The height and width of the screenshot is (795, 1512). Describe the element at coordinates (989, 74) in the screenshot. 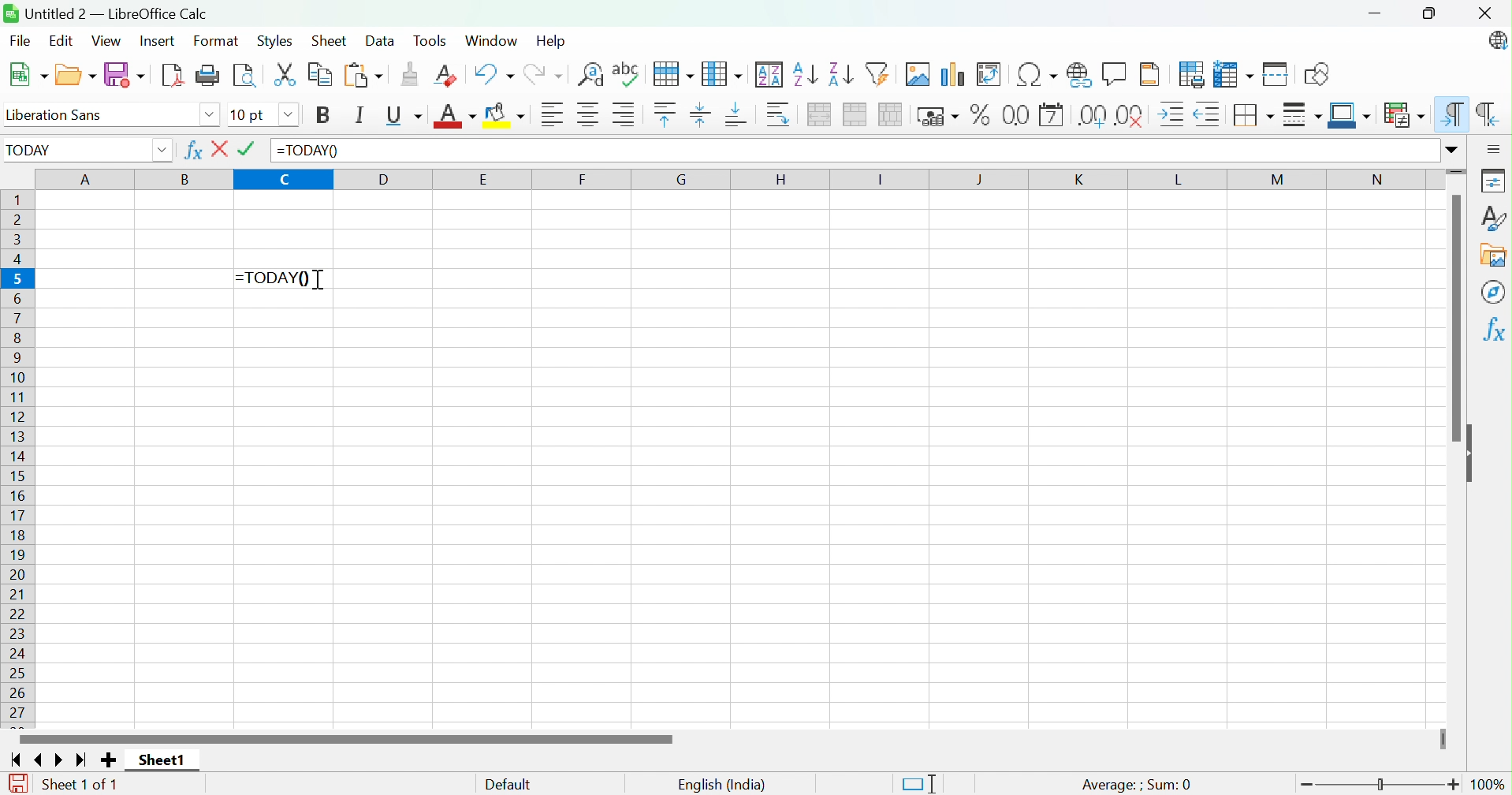

I see `Insert or edit pivot table` at that location.